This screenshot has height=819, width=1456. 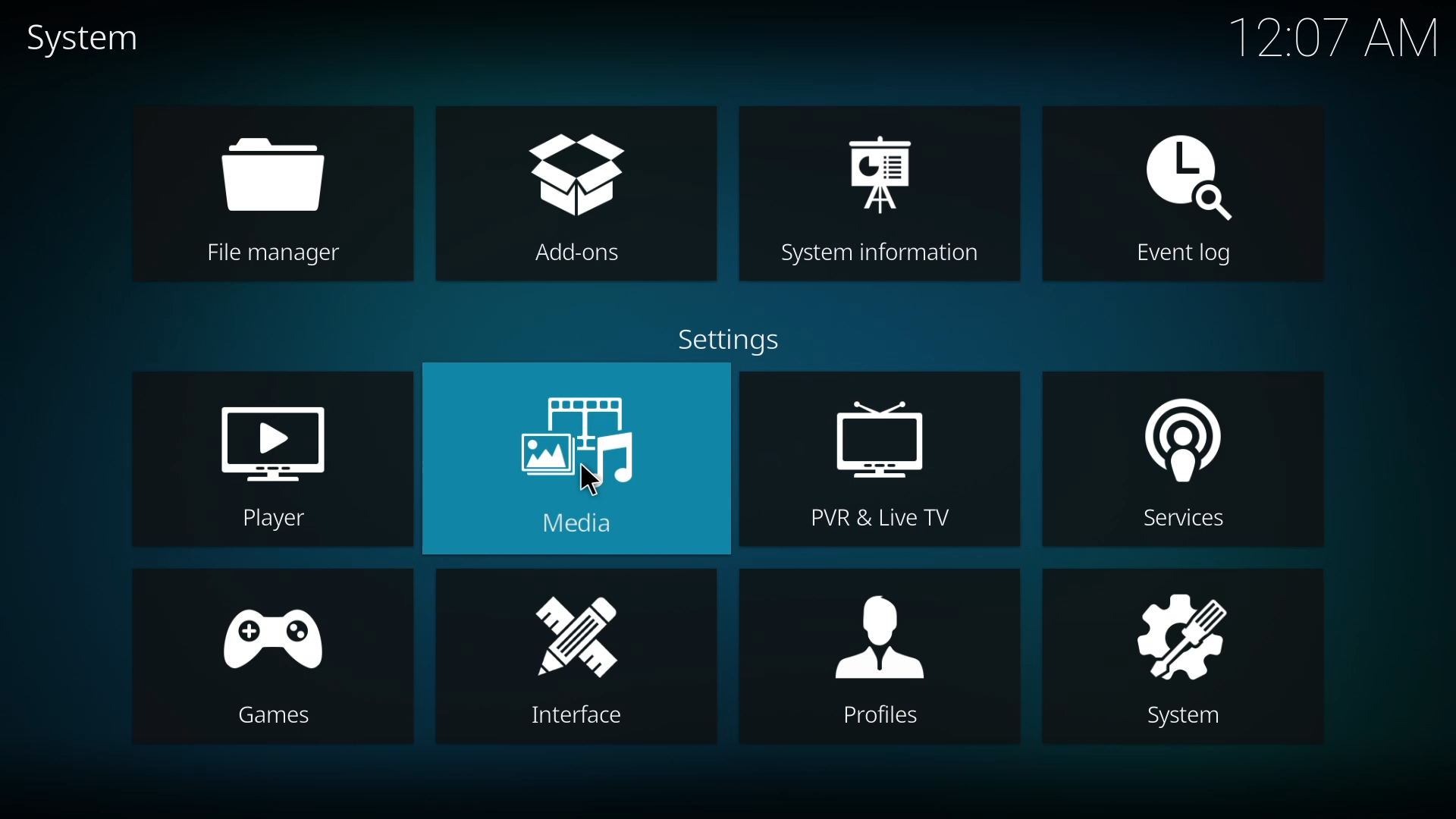 I want to click on file manager, so click(x=279, y=196).